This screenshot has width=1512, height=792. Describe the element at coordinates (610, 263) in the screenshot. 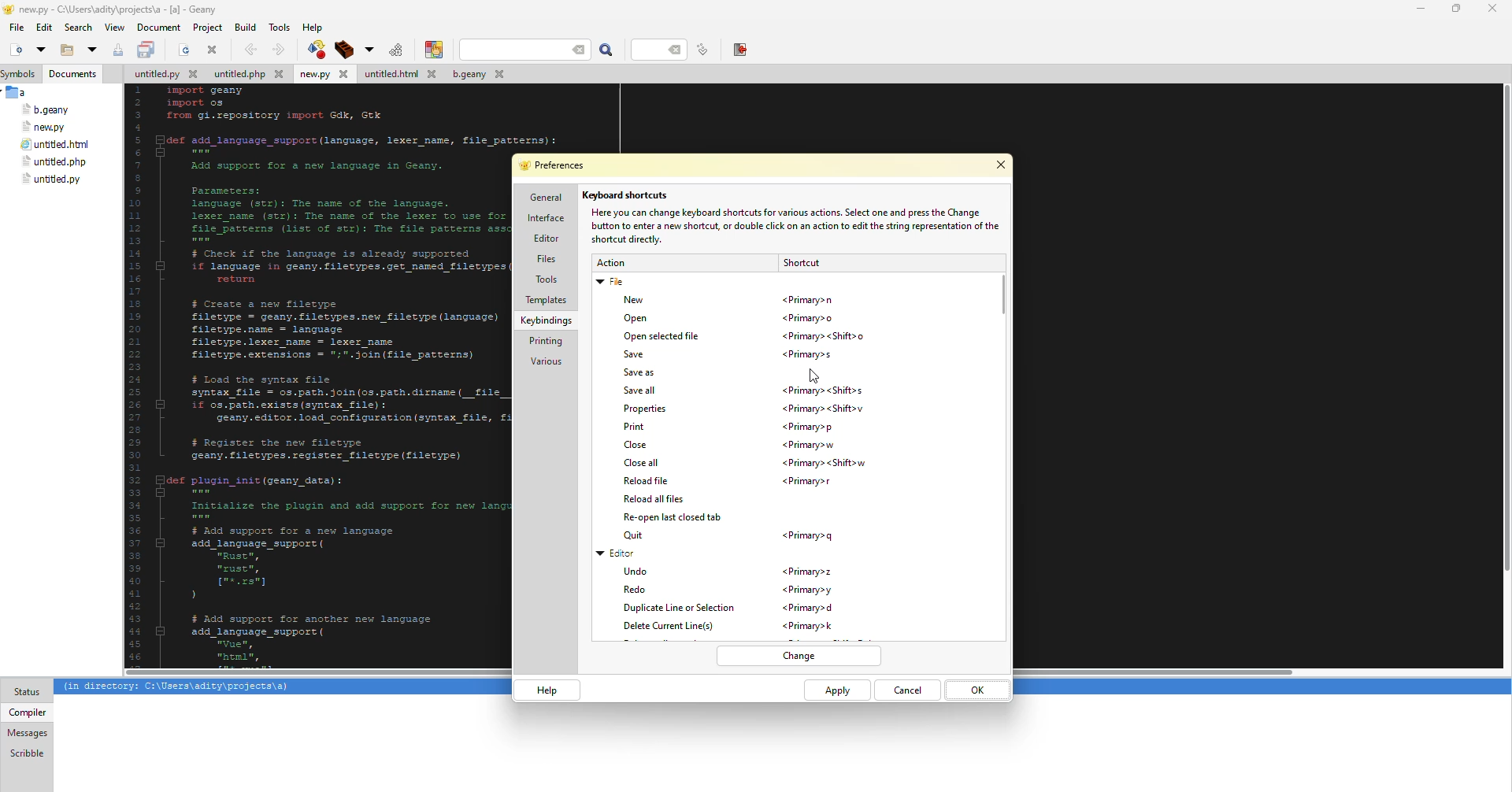

I see `action` at that location.